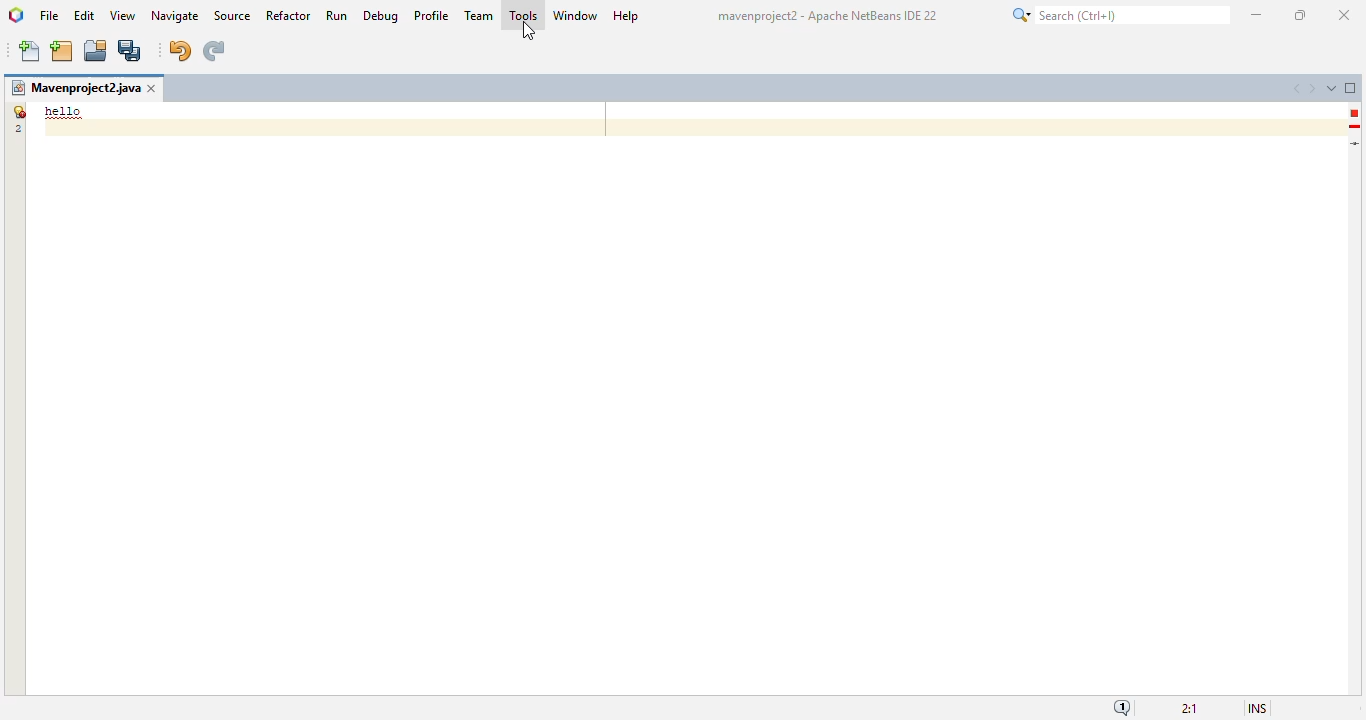  Describe the element at coordinates (1355, 127) in the screenshot. I see `hint` at that location.